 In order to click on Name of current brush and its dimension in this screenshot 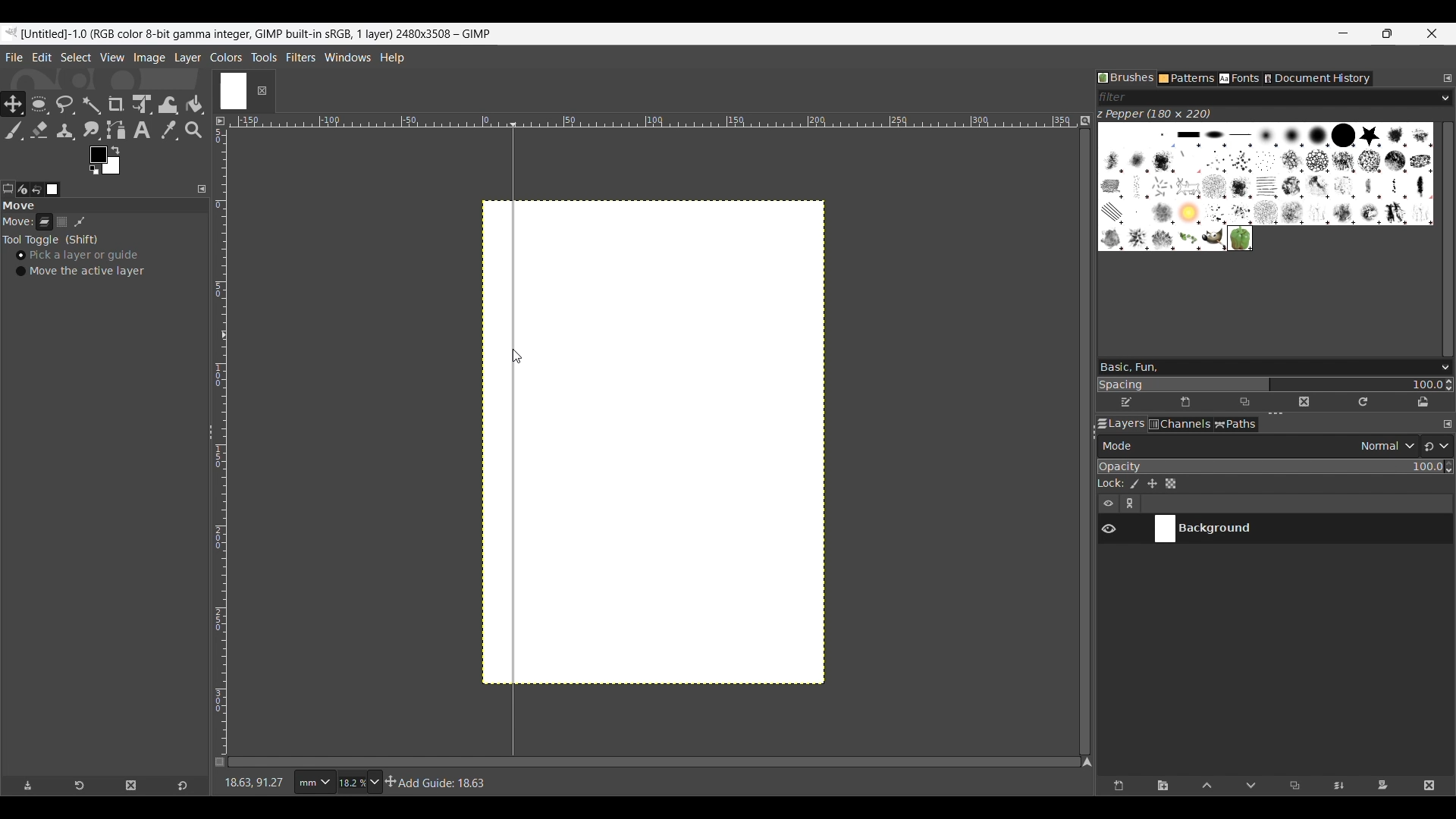, I will do `click(1153, 115)`.